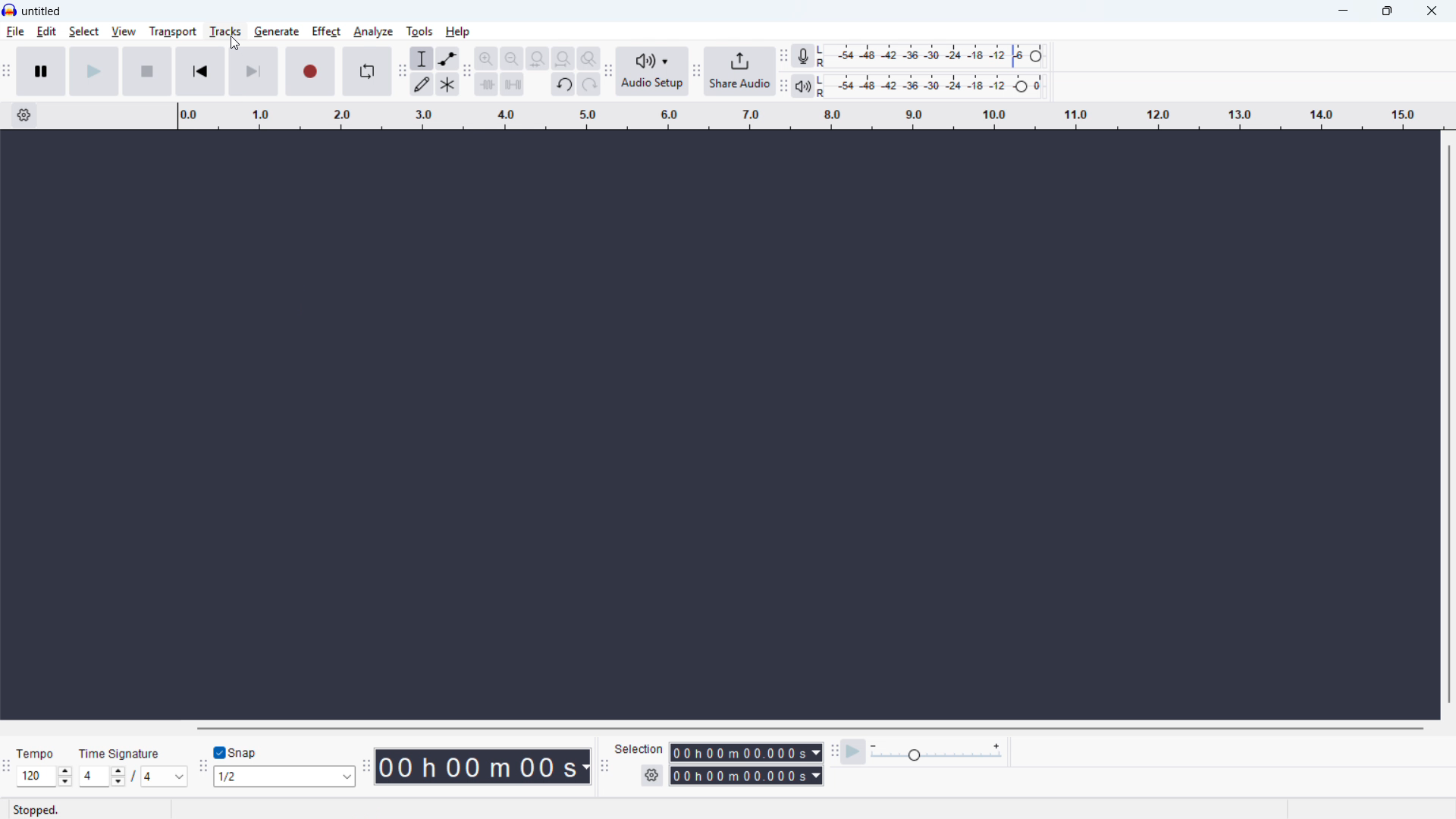 Image resolution: width=1456 pixels, height=819 pixels. Describe the element at coordinates (402, 71) in the screenshot. I see `Tools toolbar ` at that location.